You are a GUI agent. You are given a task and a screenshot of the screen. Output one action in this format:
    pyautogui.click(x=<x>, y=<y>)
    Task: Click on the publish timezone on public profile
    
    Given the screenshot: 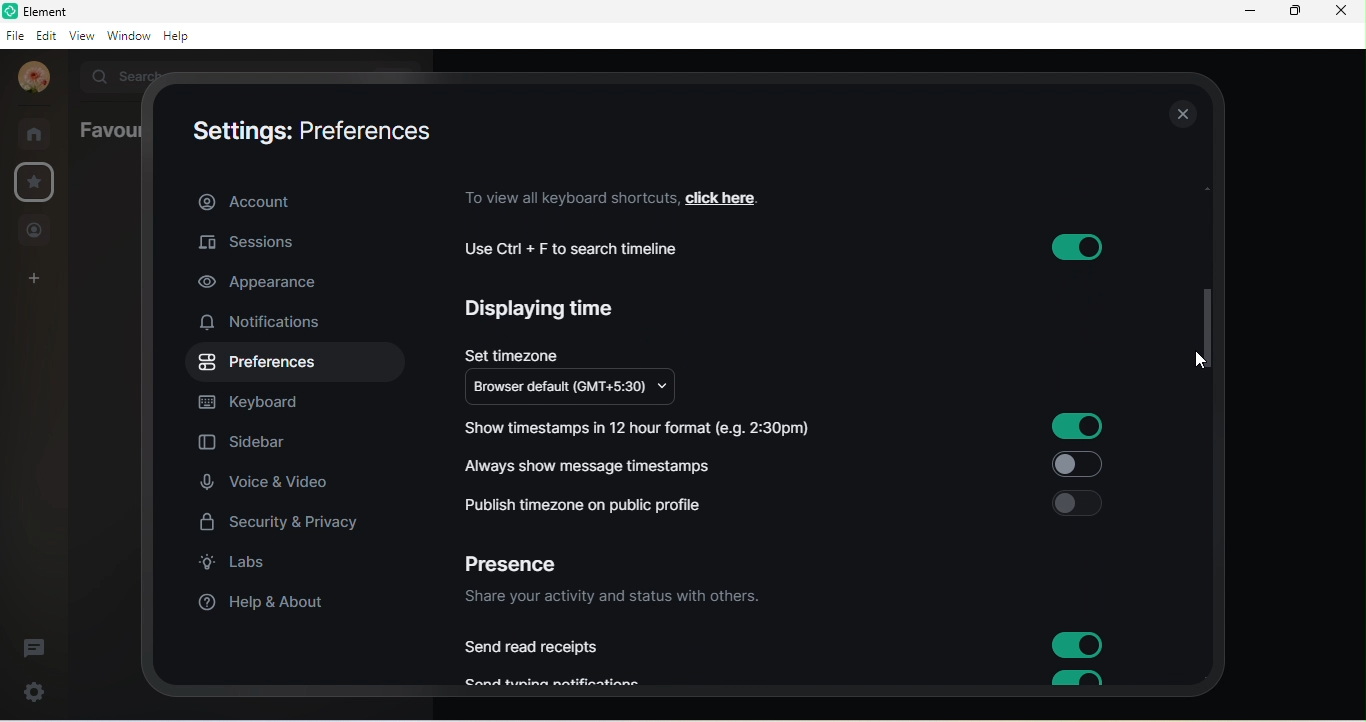 What is the action you would take?
    pyautogui.click(x=592, y=505)
    